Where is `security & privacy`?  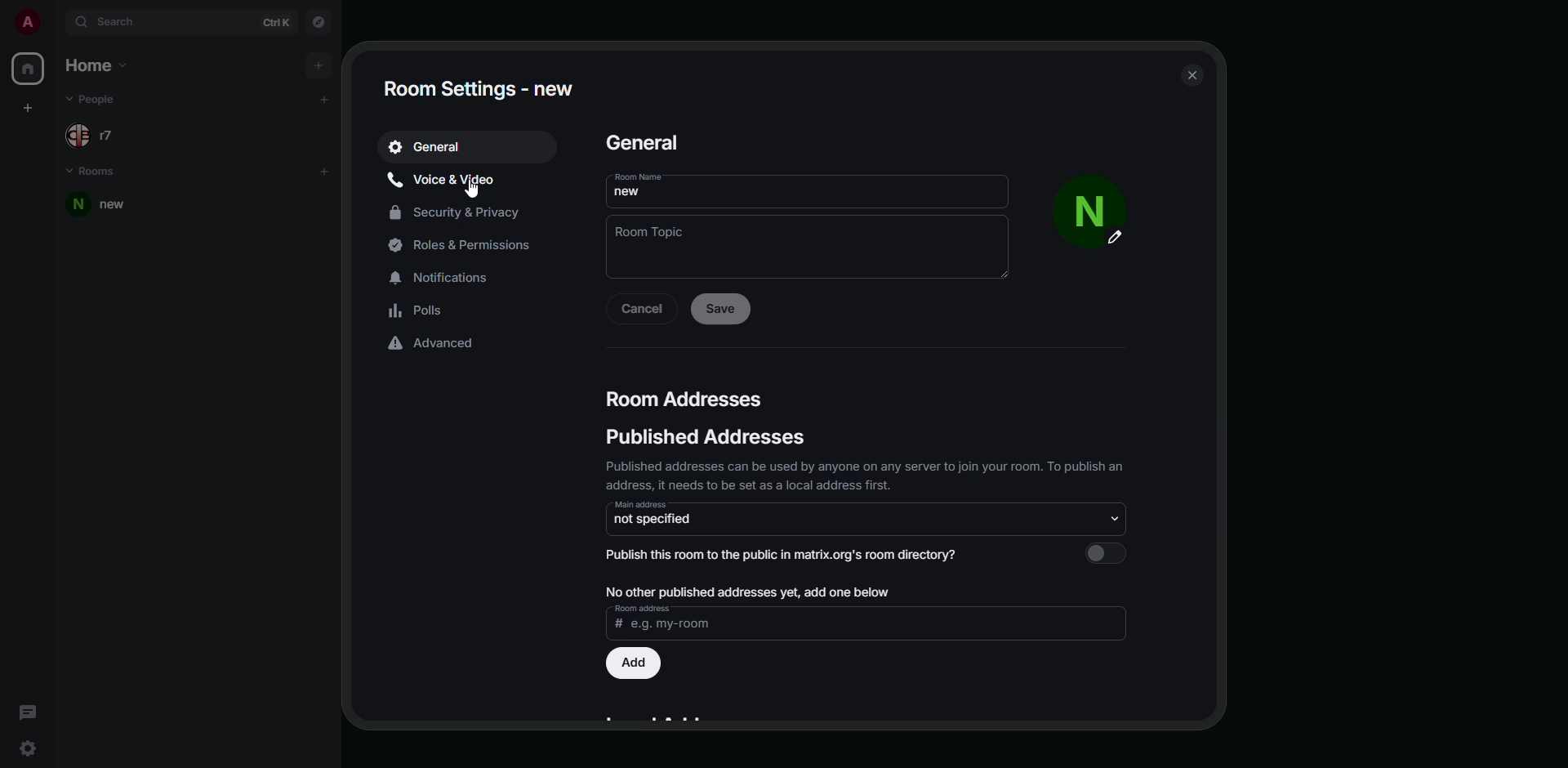 security & privacy is located at coordinates (458, 214).